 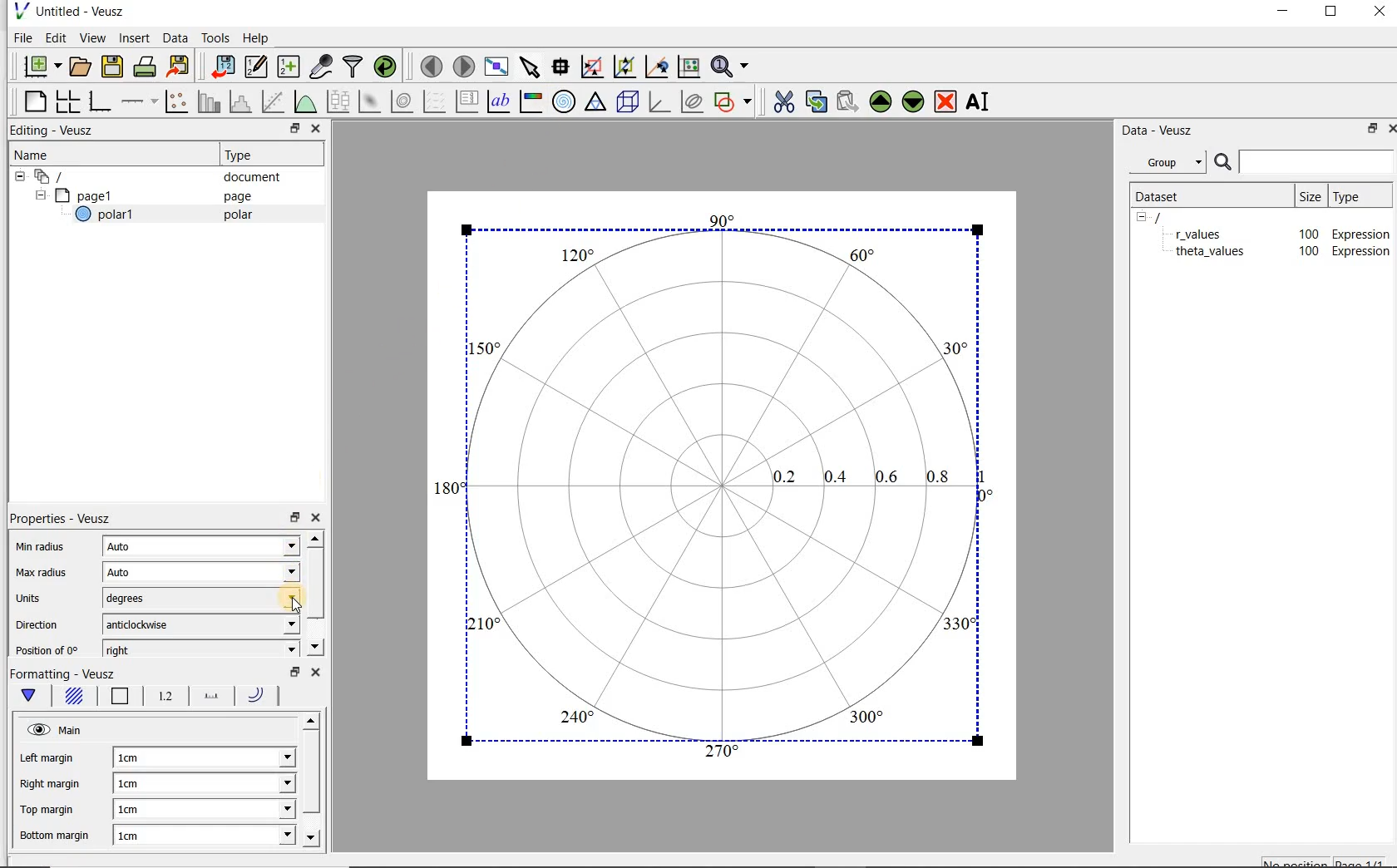 What do you see at coordinates (67, 101) in the screenshot?
I see `arrange graphs in a grid` at bounding box center [67, 101].